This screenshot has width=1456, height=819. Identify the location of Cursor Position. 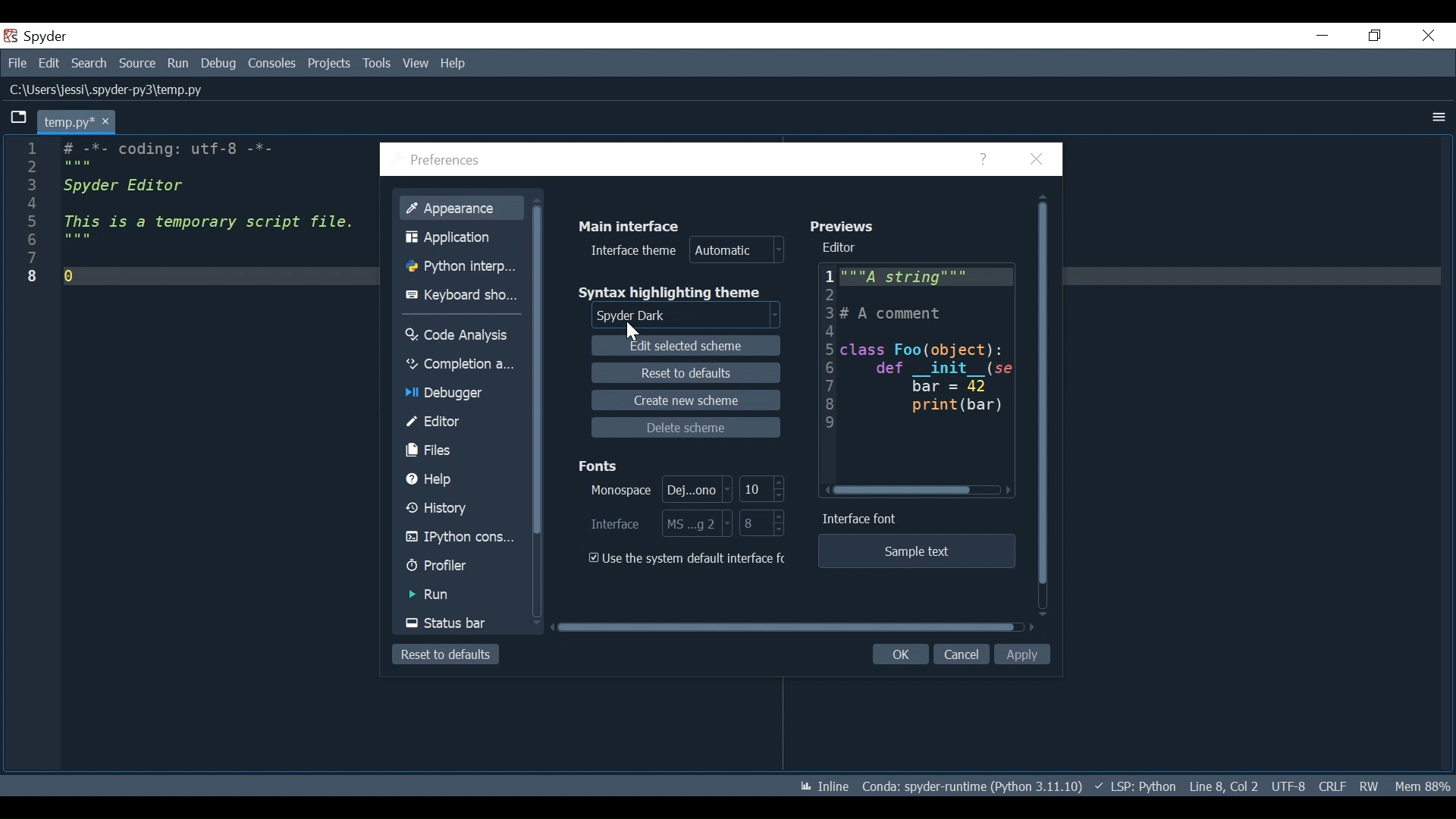
(1222, 786).